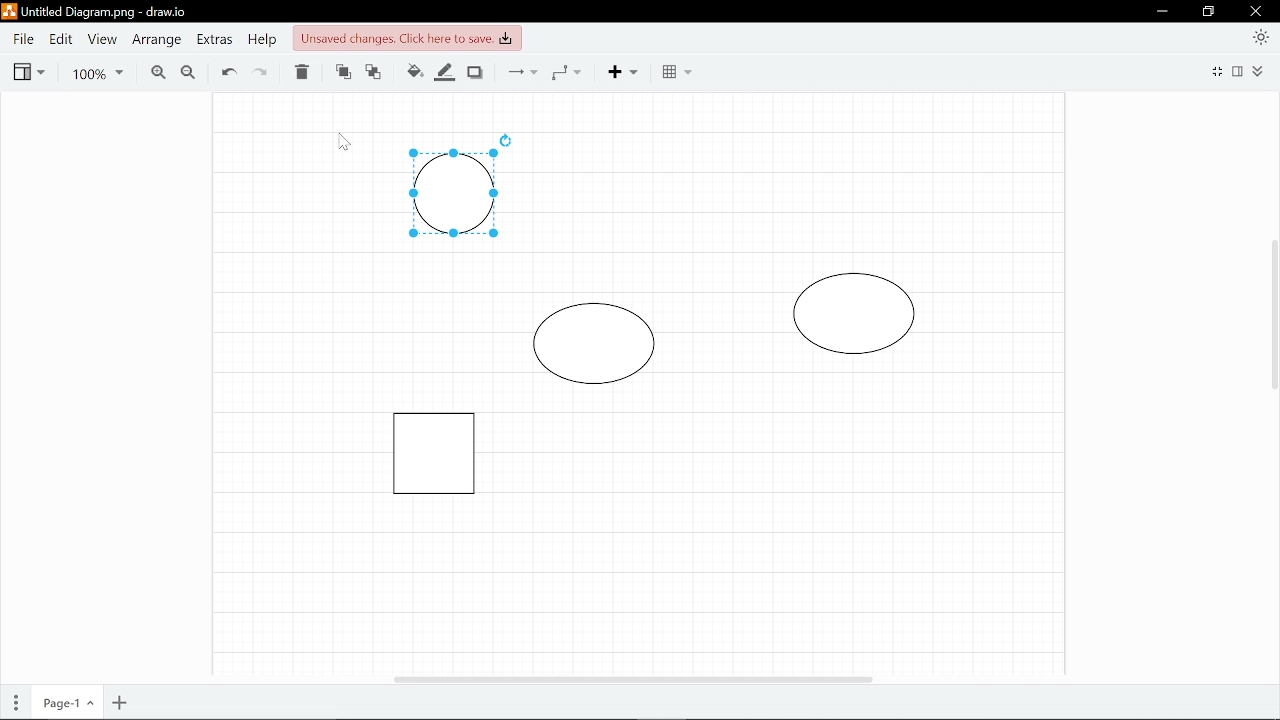 This screenshot has height=720, width=1280. I want to click on Fullscreen, so click(1215, 73).